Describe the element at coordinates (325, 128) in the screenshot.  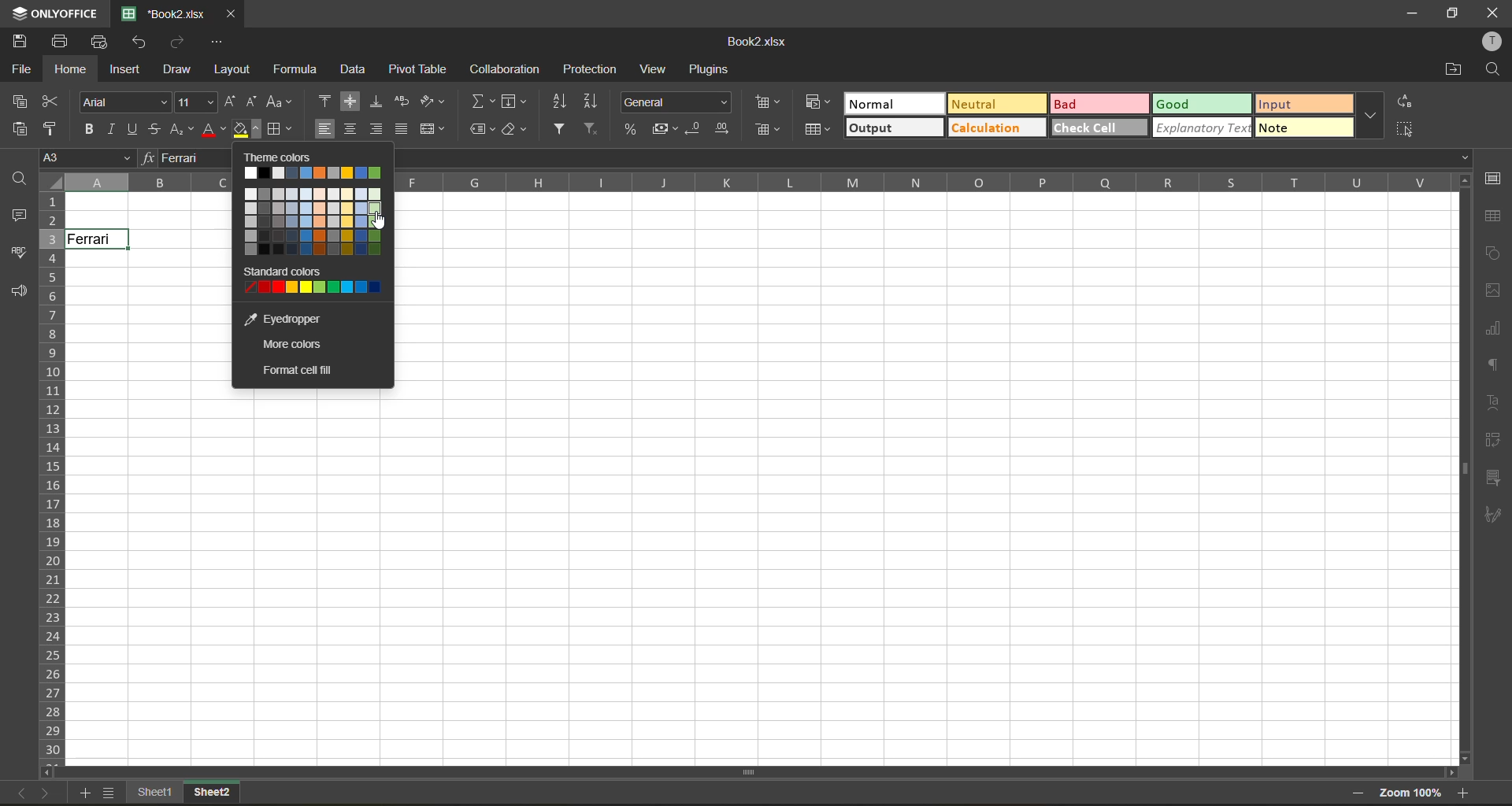
I see `align left` at that location.